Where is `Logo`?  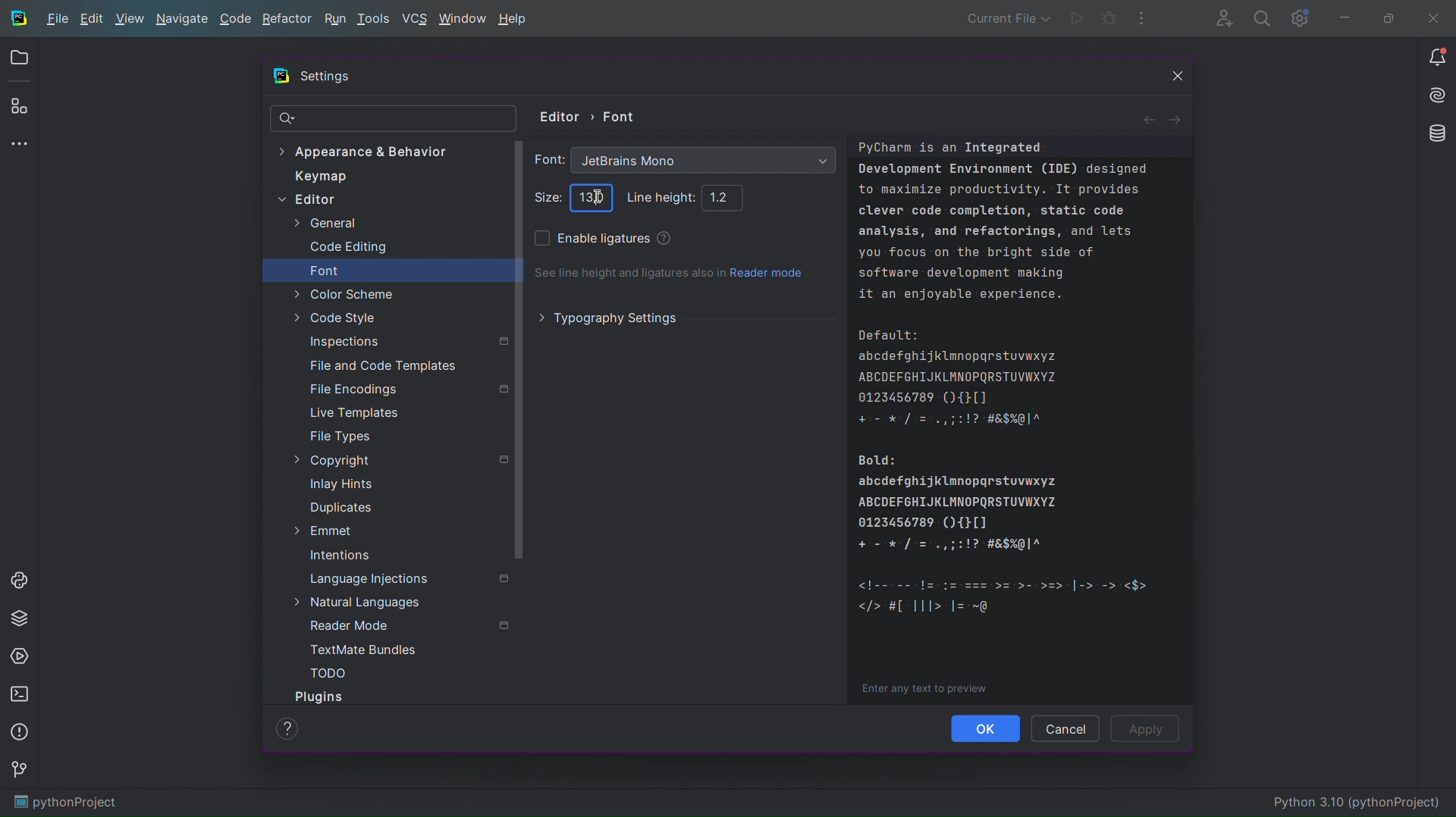 Logo is located at coordinates (281, 76).